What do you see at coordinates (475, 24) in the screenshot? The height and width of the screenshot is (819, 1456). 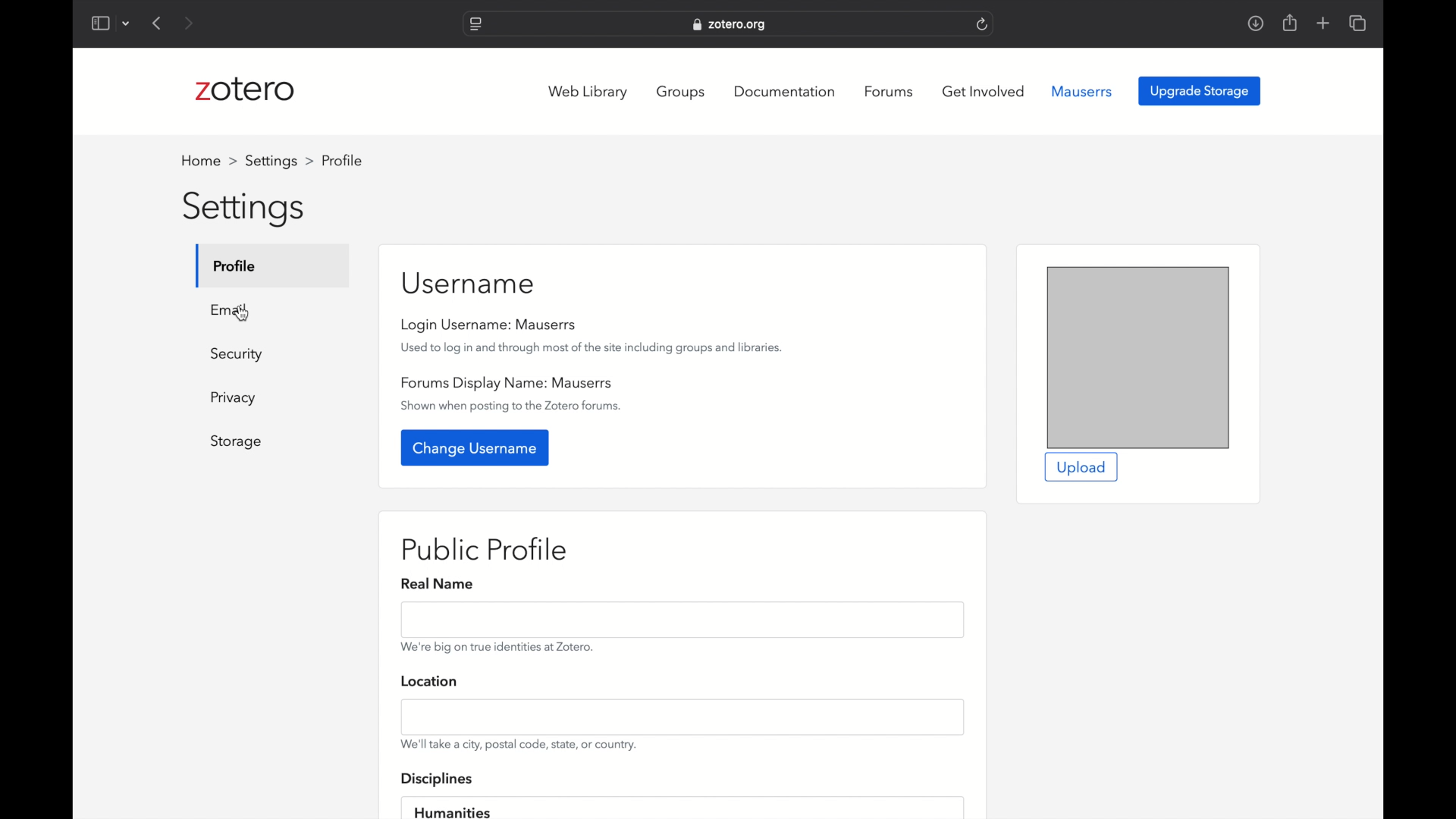 I see `website settings` at bounding box center [475, 24].